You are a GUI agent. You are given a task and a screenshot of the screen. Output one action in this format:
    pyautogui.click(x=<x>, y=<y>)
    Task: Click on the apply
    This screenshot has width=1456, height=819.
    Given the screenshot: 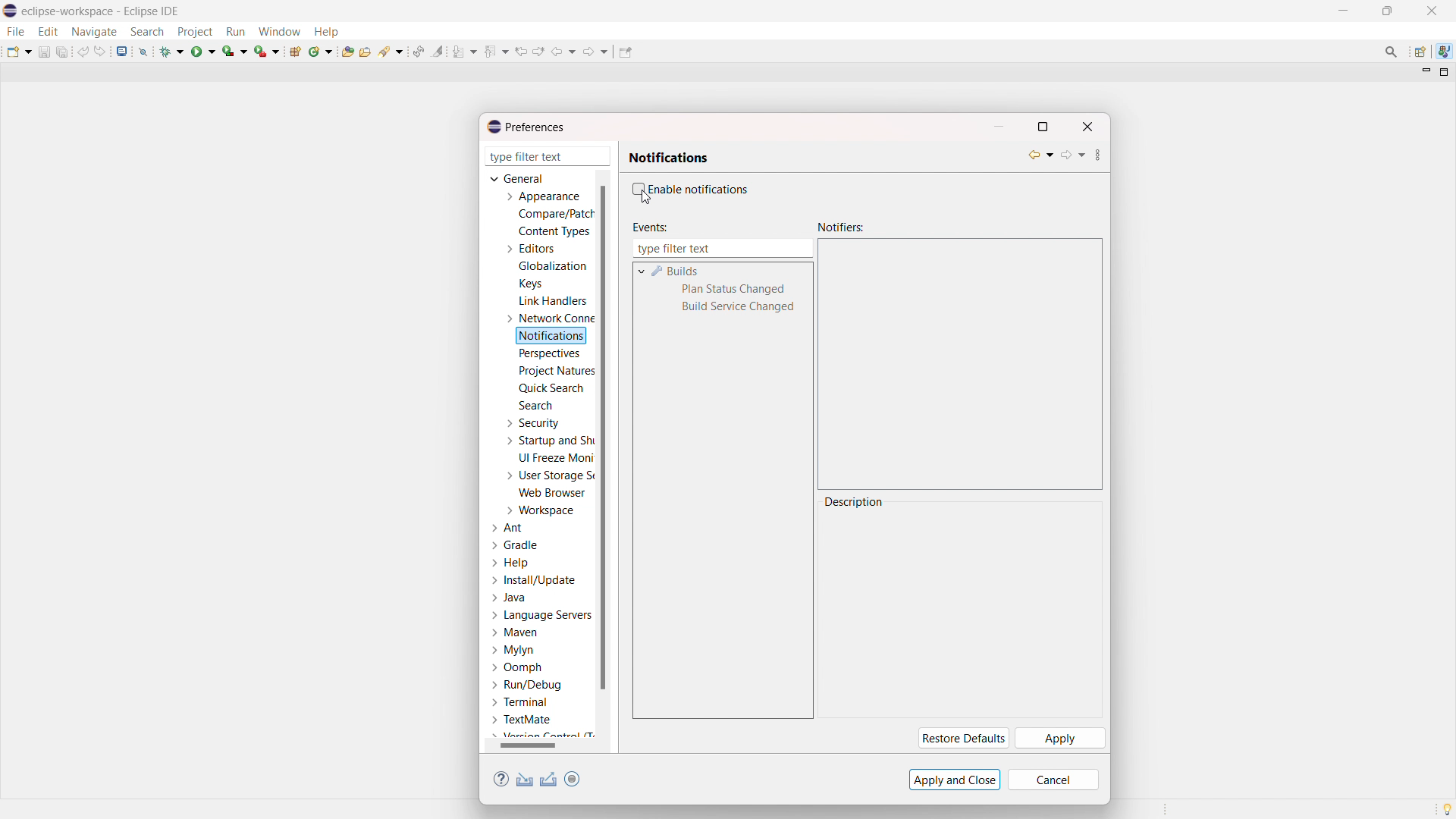 What is the action you would take?
    pyautogui.click(x=1059, y=739)
    